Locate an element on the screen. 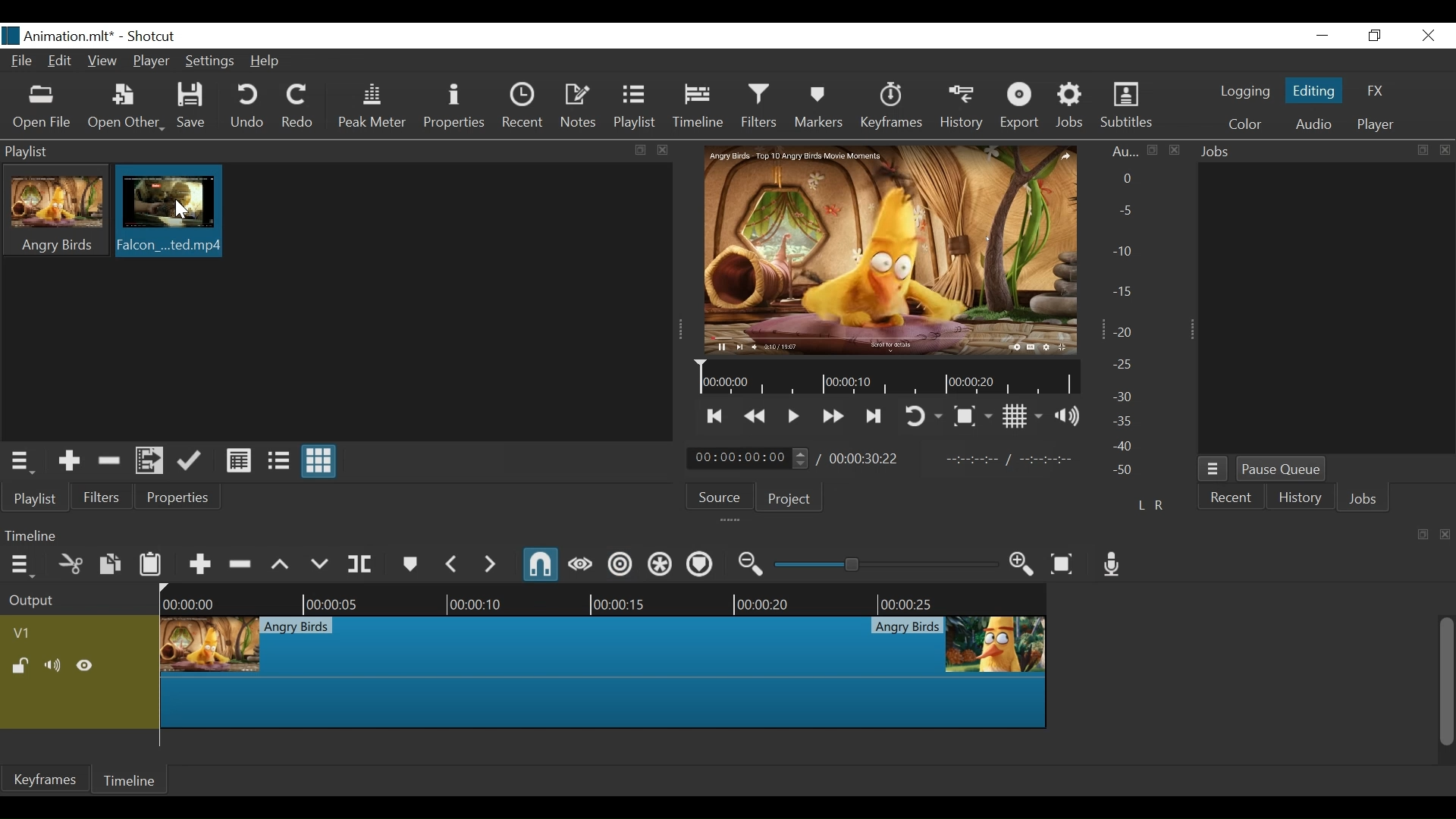 This screenshot has width=1456, height=819. View is located at coordinates (103, 61).